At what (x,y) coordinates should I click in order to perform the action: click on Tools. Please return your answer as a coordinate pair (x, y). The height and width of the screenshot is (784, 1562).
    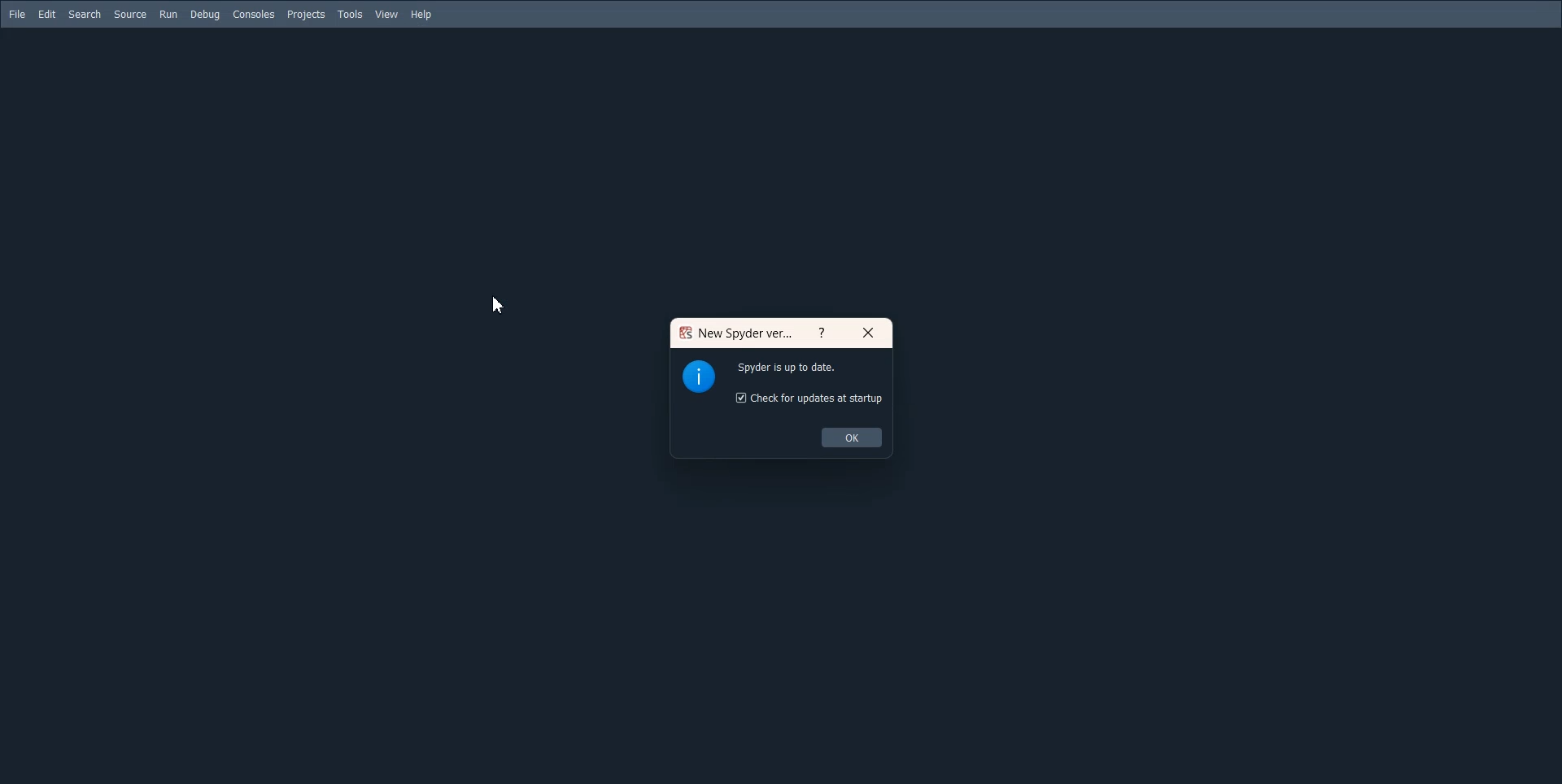
    Looking at the image, I should click on (351, 15).